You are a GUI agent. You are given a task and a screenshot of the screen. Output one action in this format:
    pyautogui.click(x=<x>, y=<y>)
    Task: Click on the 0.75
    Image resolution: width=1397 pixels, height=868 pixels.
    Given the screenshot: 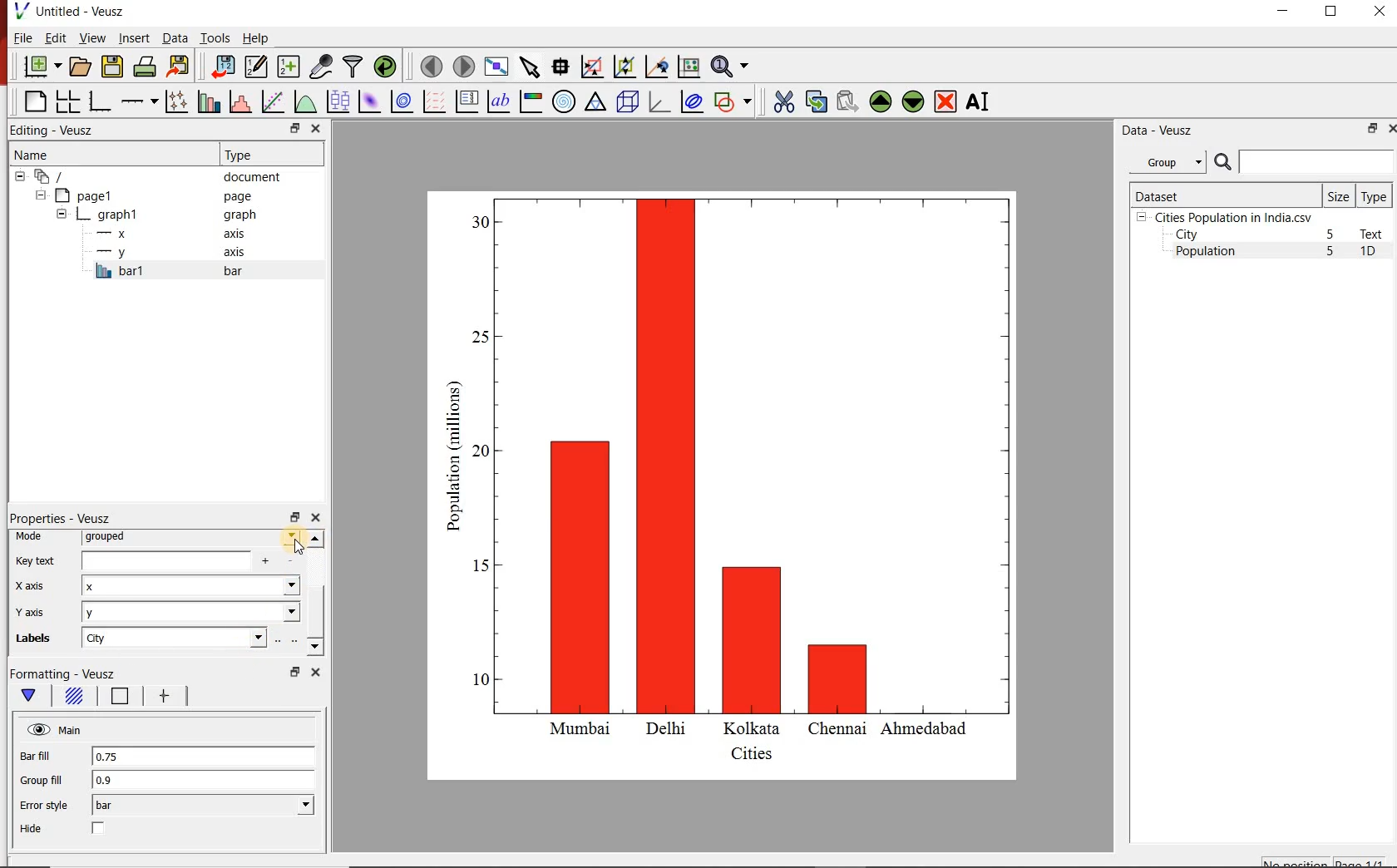 What is the action you would take?
    pyautogui.click(x=202, y=757)
    